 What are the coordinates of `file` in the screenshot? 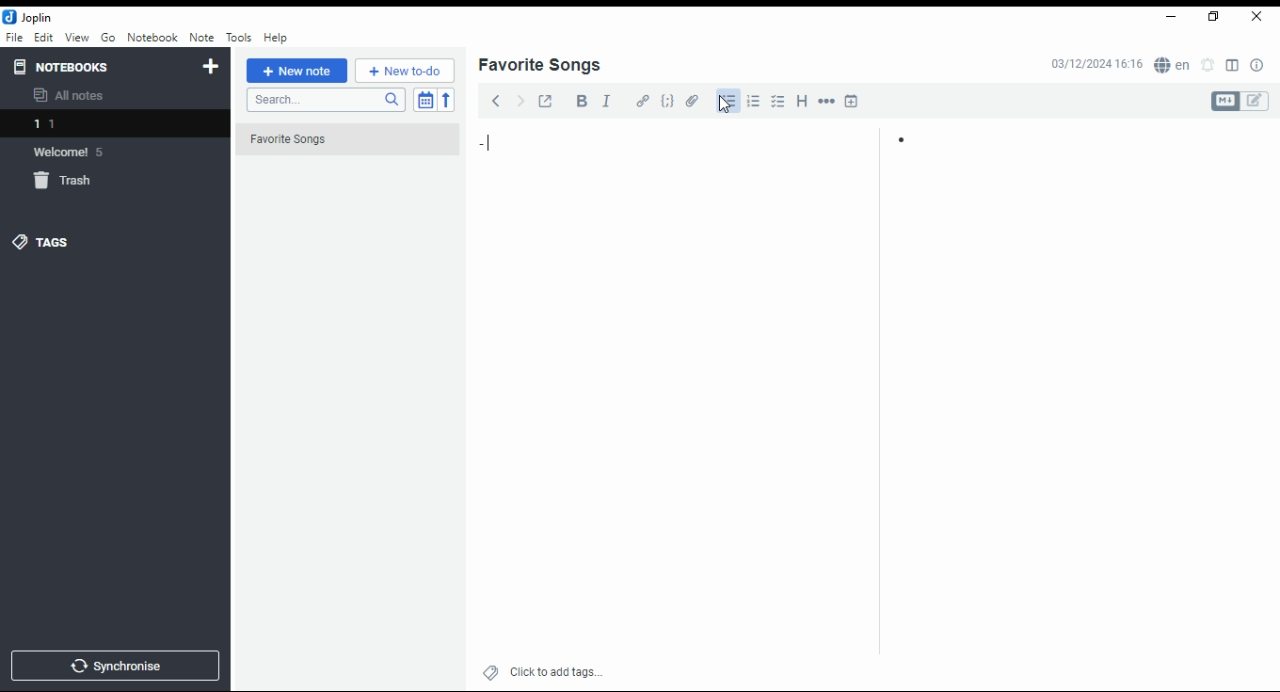 It's located at (14, 36).